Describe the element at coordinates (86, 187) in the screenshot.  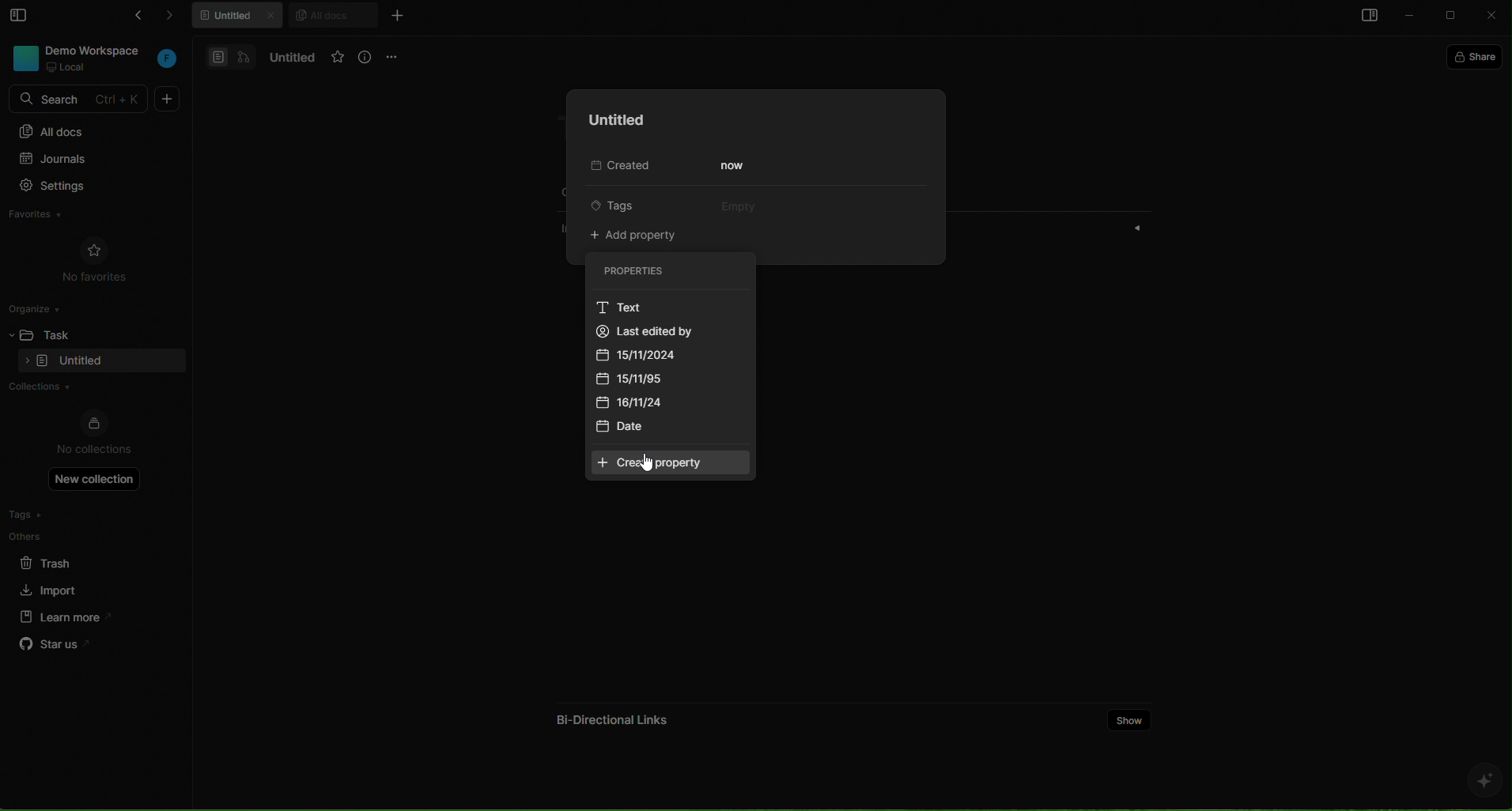
I see `settings` at that location.